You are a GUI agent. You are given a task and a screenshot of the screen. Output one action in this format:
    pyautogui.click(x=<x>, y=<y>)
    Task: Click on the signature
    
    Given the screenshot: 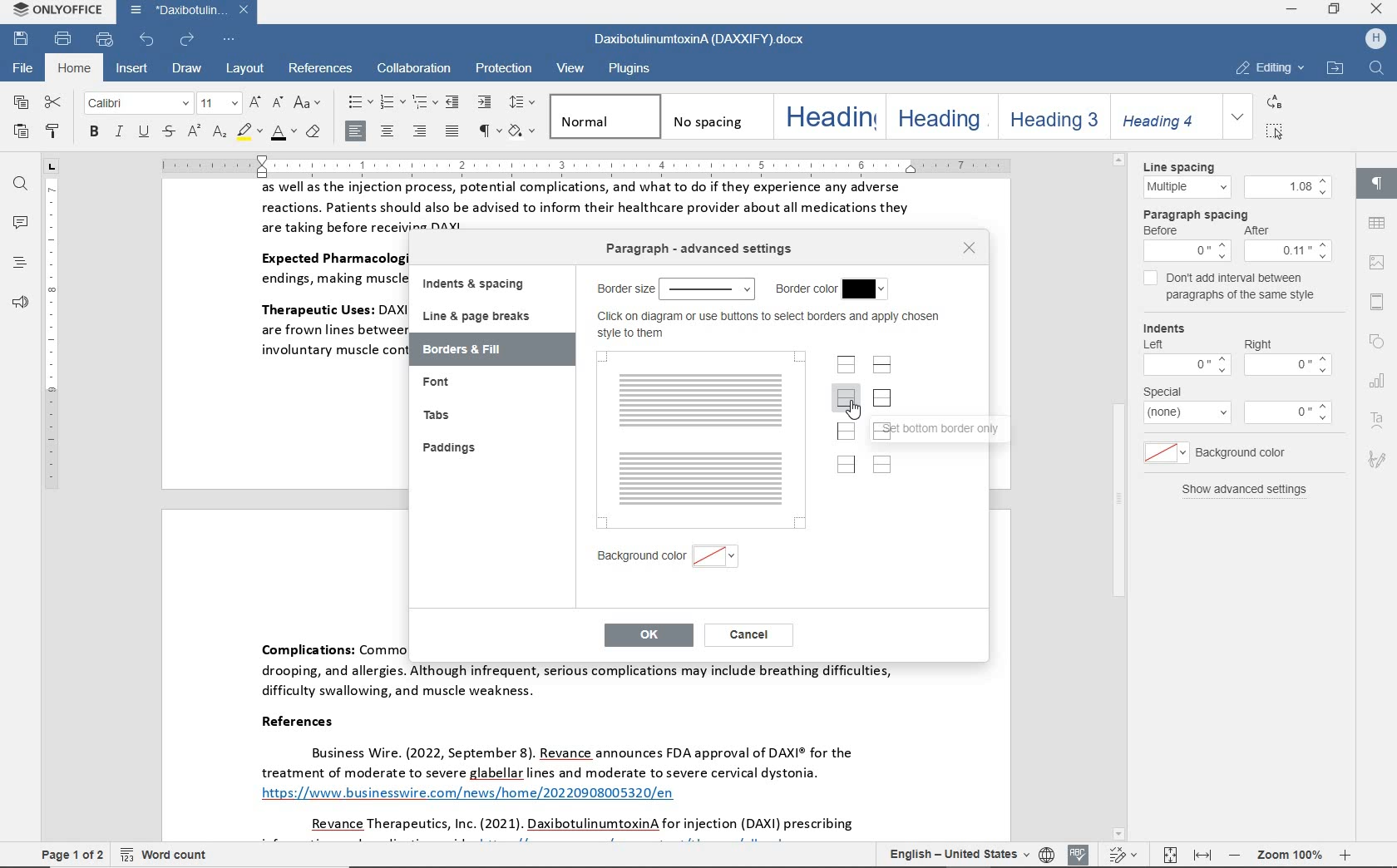 What is the action you would take?
    pyautogui.click(x=1380, y=457)
    